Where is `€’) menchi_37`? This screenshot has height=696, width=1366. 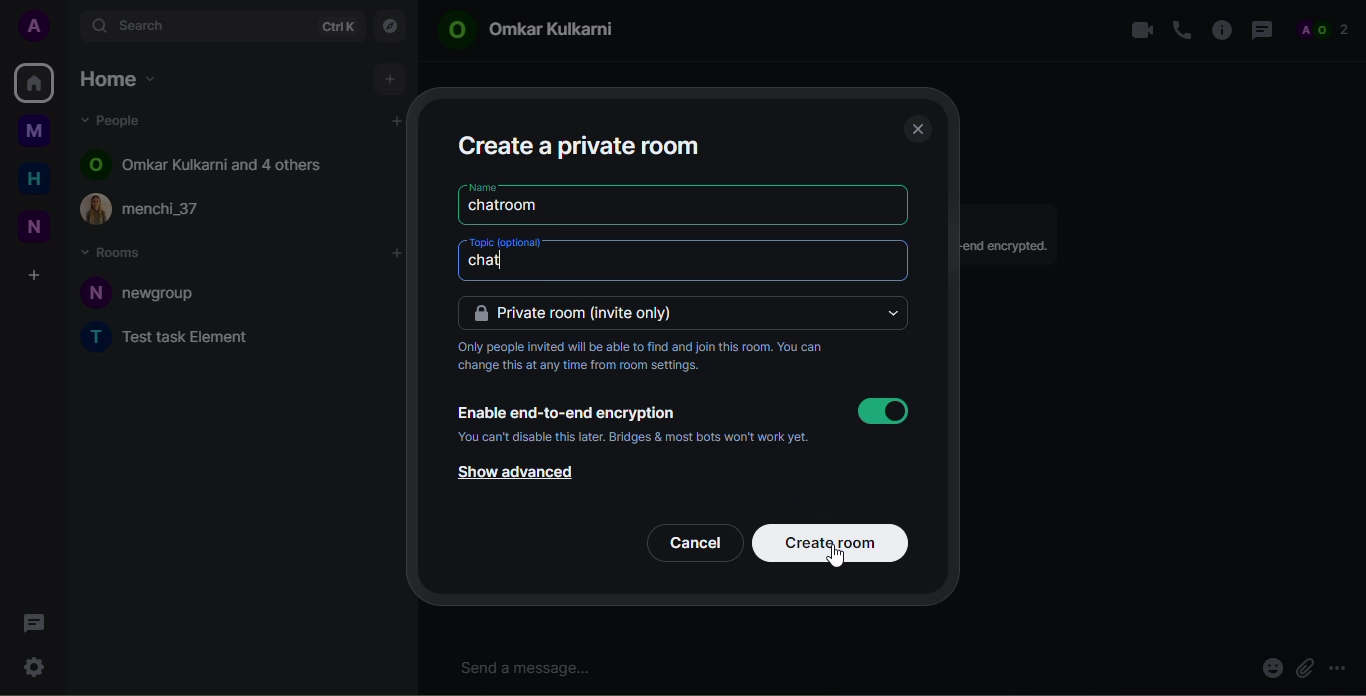
€’) menchi_37 is located at coordinates (167, 211).